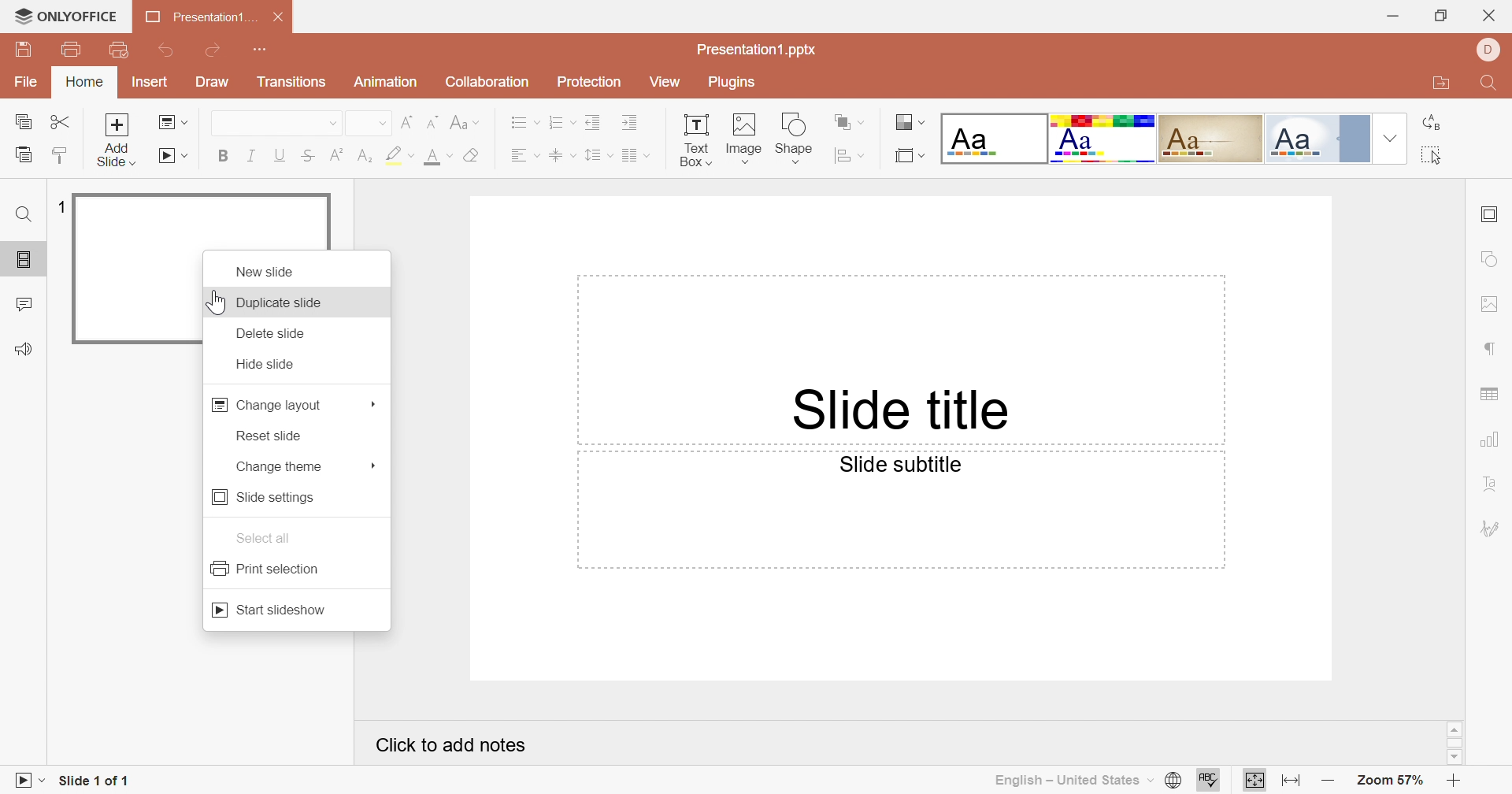  What do you see at coordinates (1492, 525) in the screenshot?
I see `Signature settings` at bounding box center [1492, 525].